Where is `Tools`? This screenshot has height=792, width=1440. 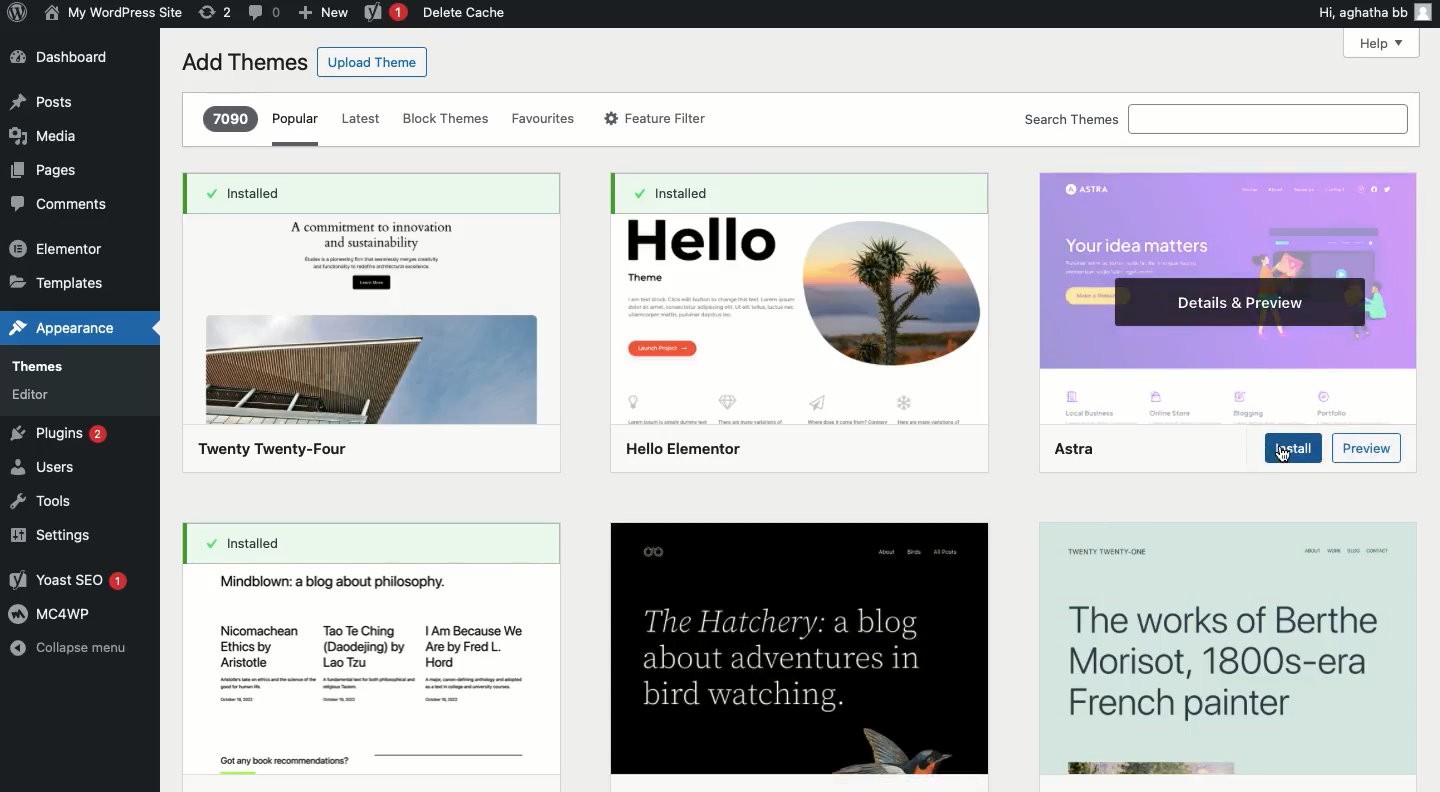
Tools is located at coordinates (41, 502).